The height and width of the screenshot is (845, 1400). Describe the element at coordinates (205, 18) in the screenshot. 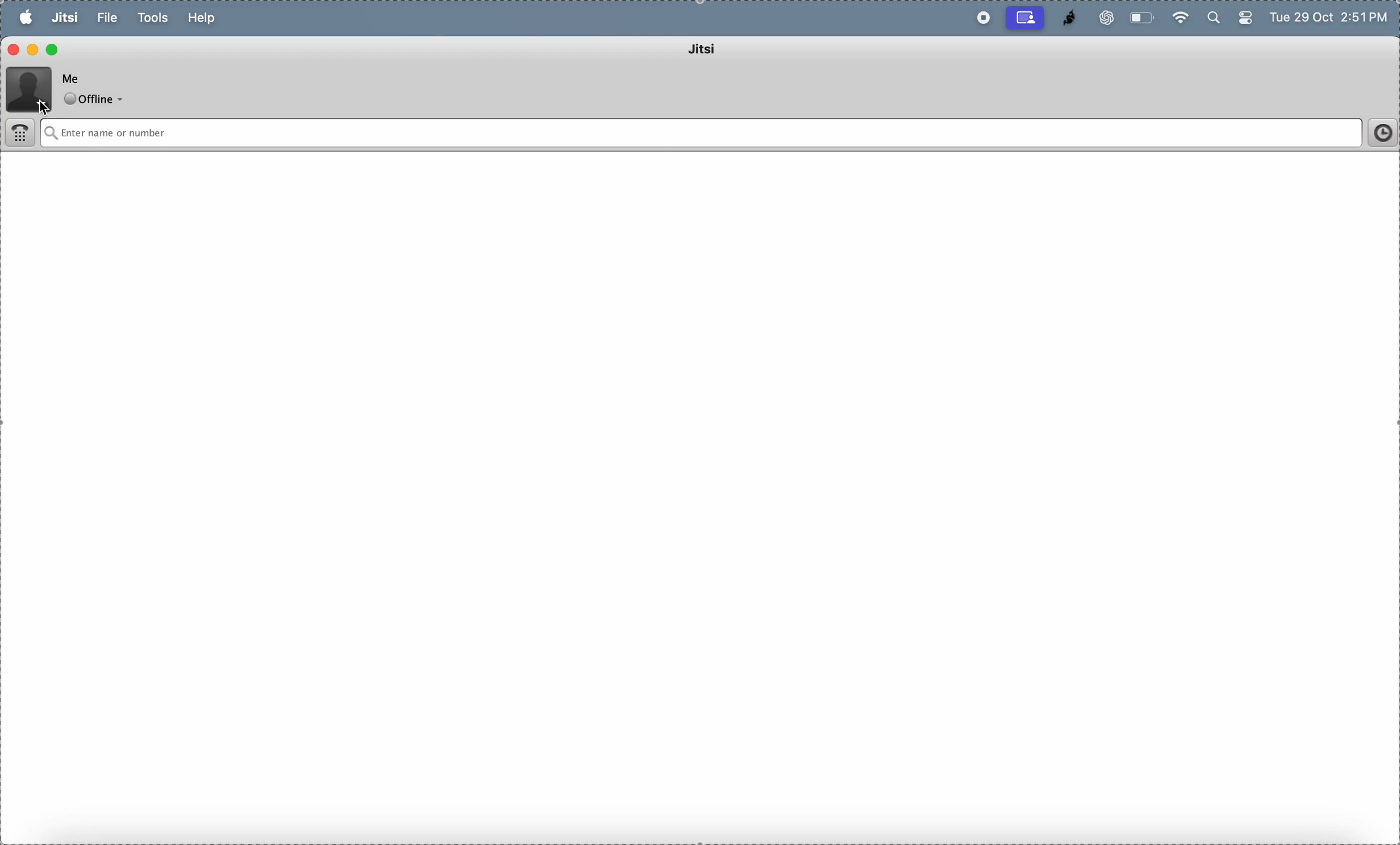

I see `help` at that location.